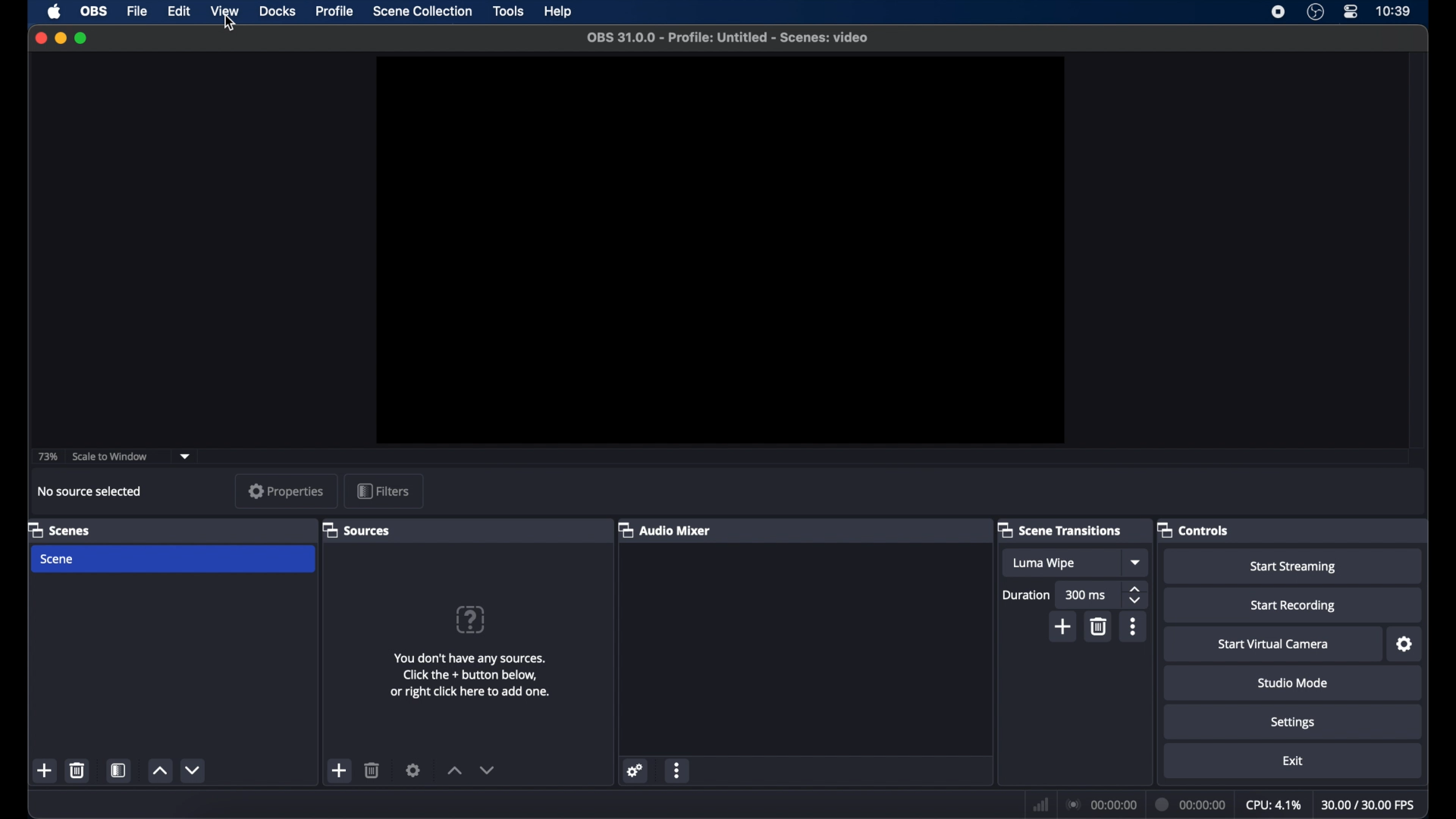 Image resolution: width=1456 pixels, height=819 pixels. I want to click on edit, so click(178, 11).